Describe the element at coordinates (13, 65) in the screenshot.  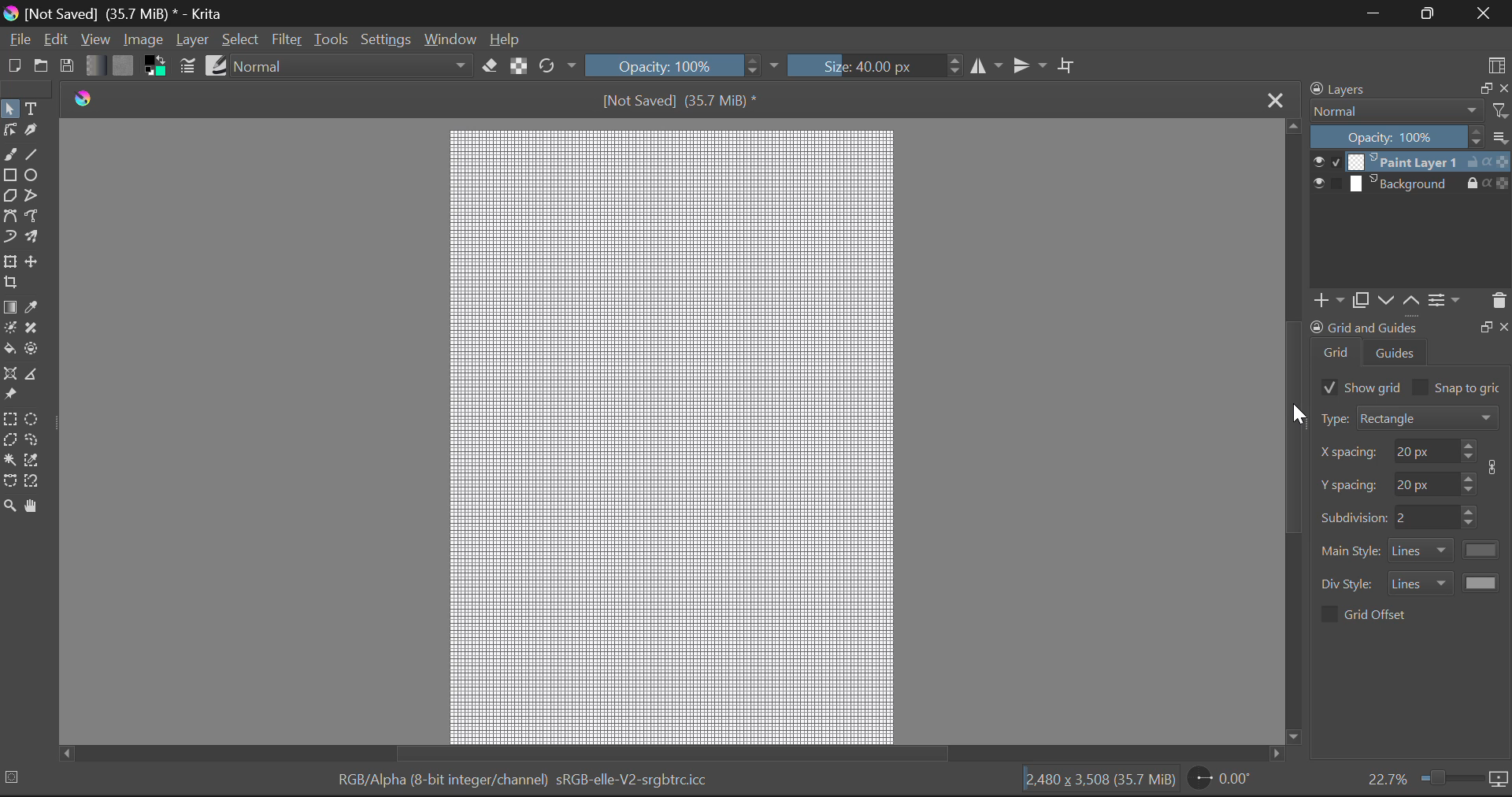
I see `New` at that location.